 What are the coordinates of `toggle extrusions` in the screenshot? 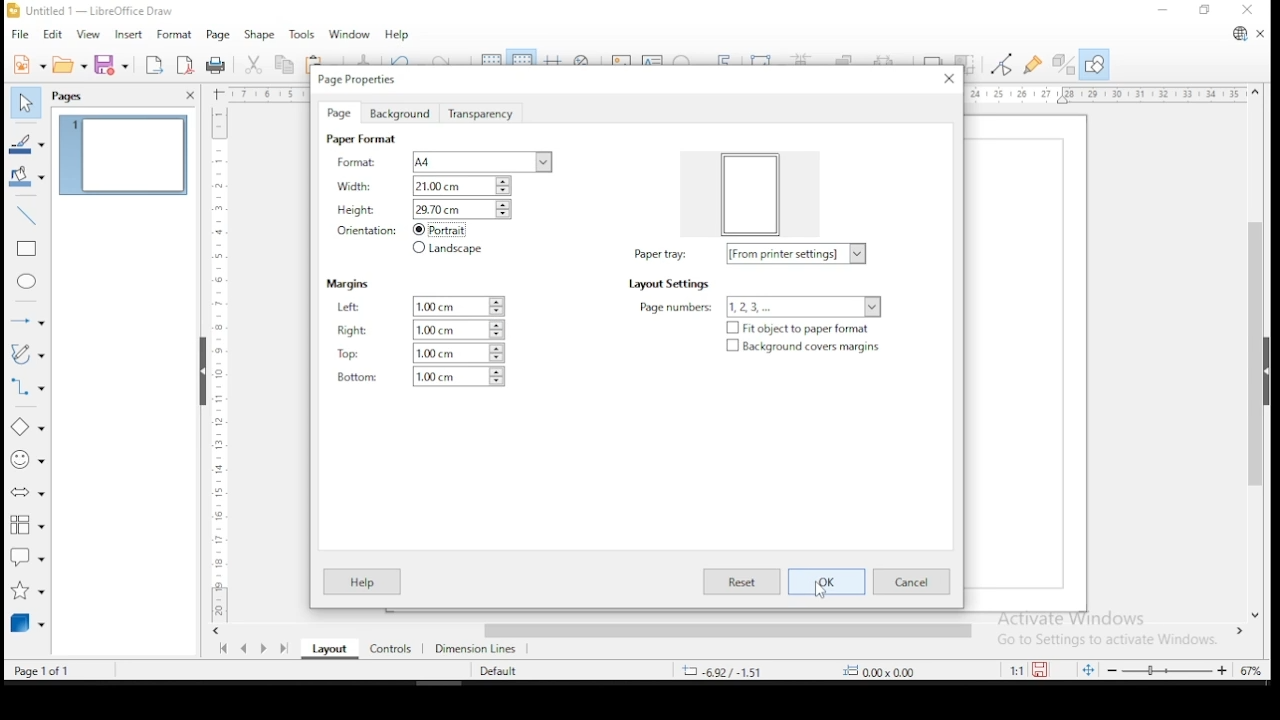 It's located at (1062, 65).